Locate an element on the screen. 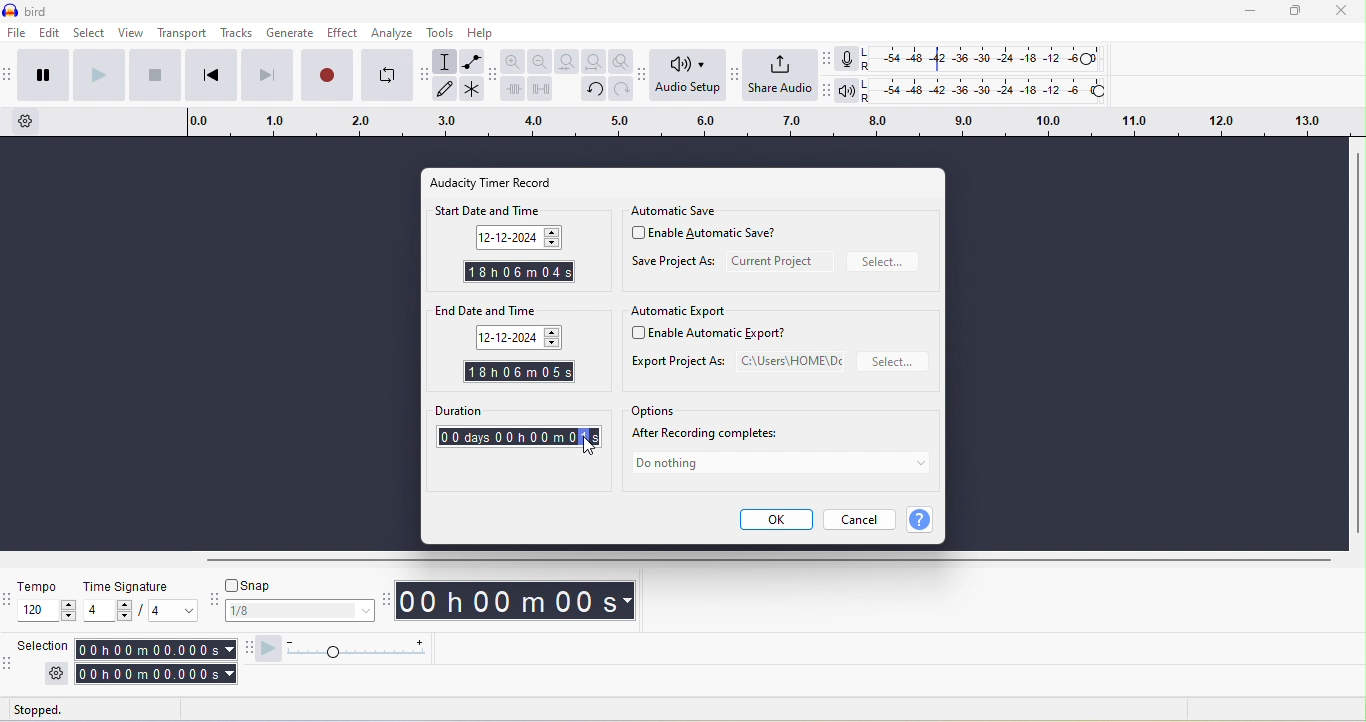  edit is located at coordinates (47, 34).